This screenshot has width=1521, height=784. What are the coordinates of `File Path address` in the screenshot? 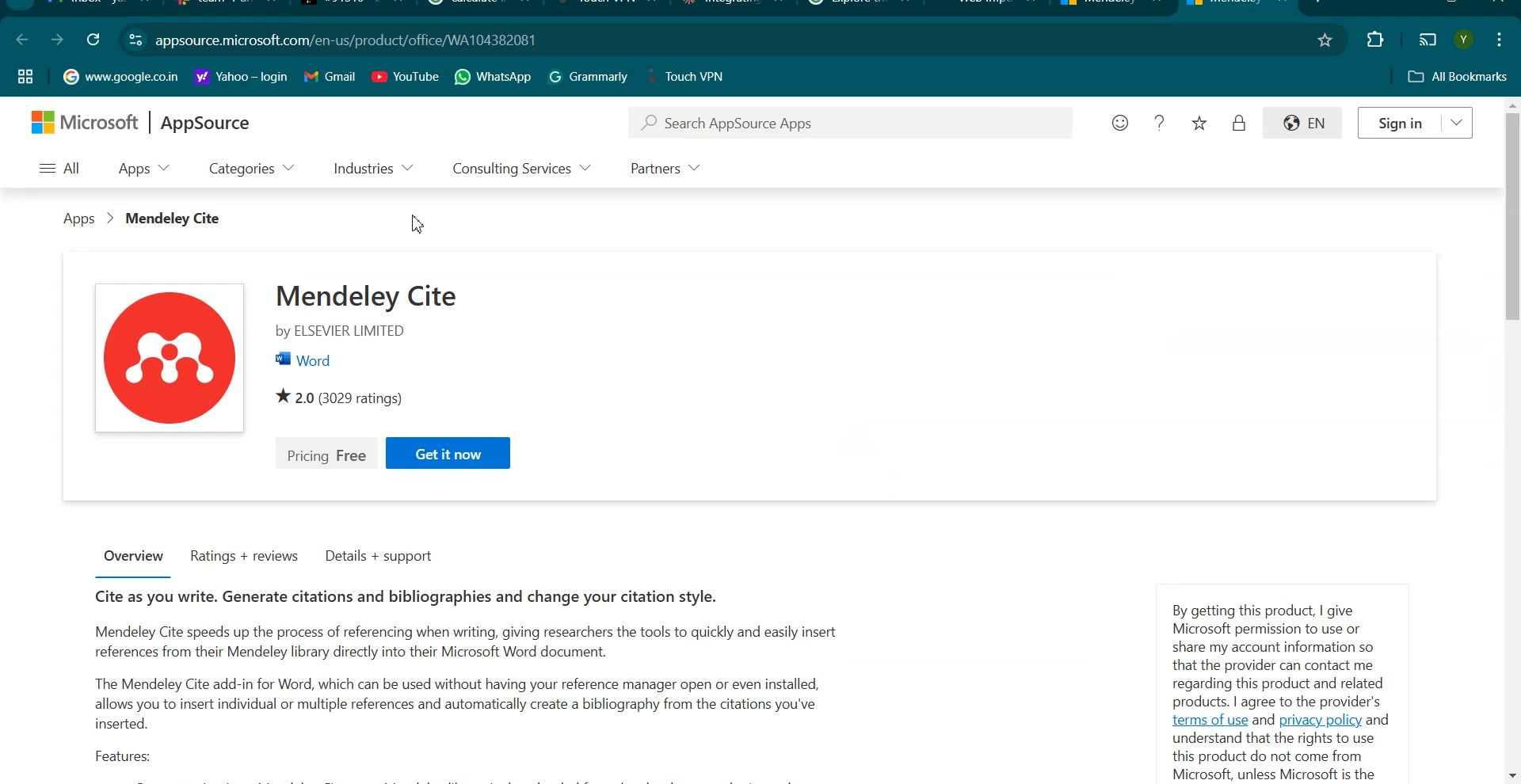 It's located at (347, 40).